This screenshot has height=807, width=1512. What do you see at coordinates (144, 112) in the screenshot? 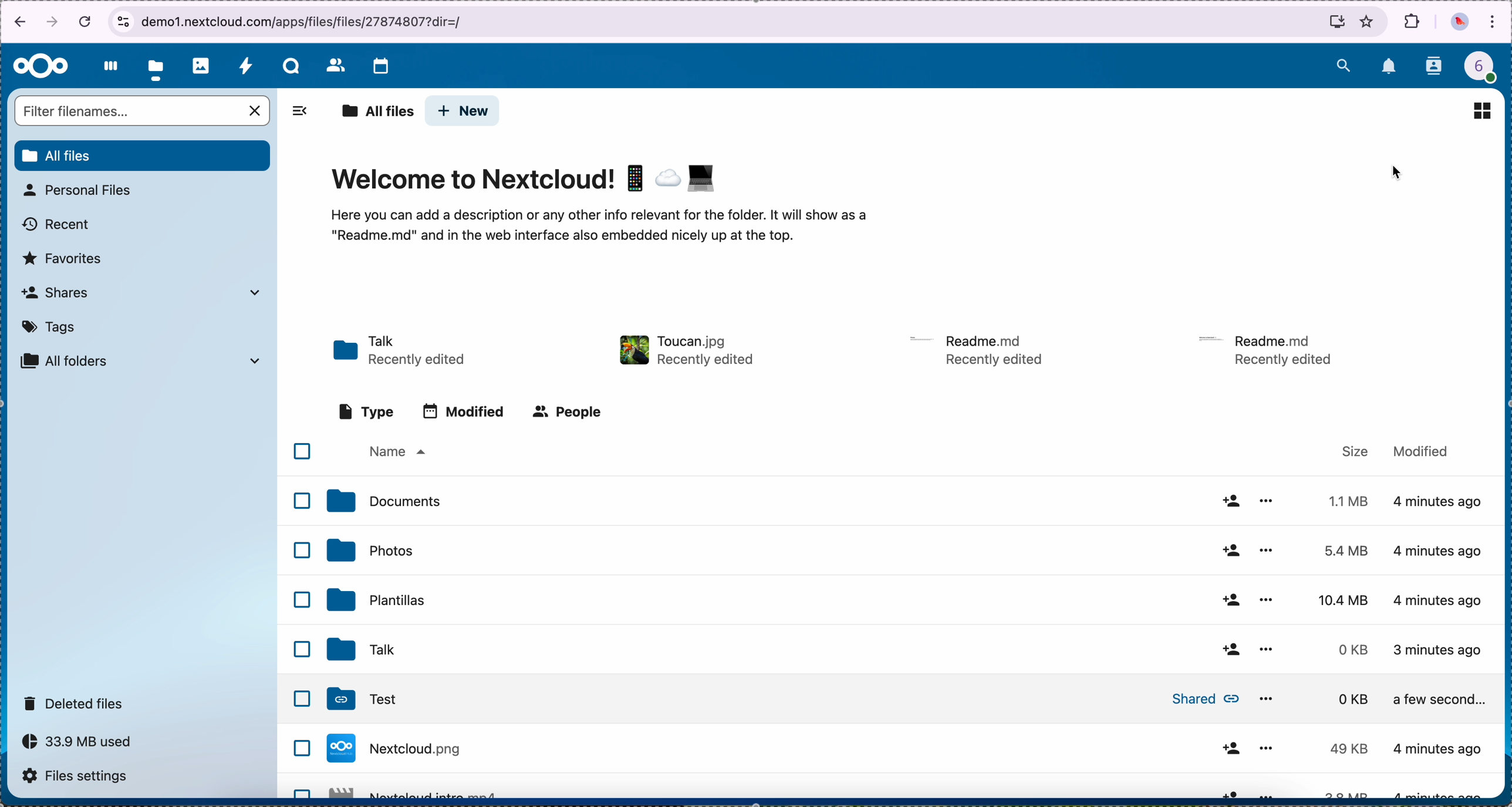
I see `search bar` at bounding box center [144, 112].